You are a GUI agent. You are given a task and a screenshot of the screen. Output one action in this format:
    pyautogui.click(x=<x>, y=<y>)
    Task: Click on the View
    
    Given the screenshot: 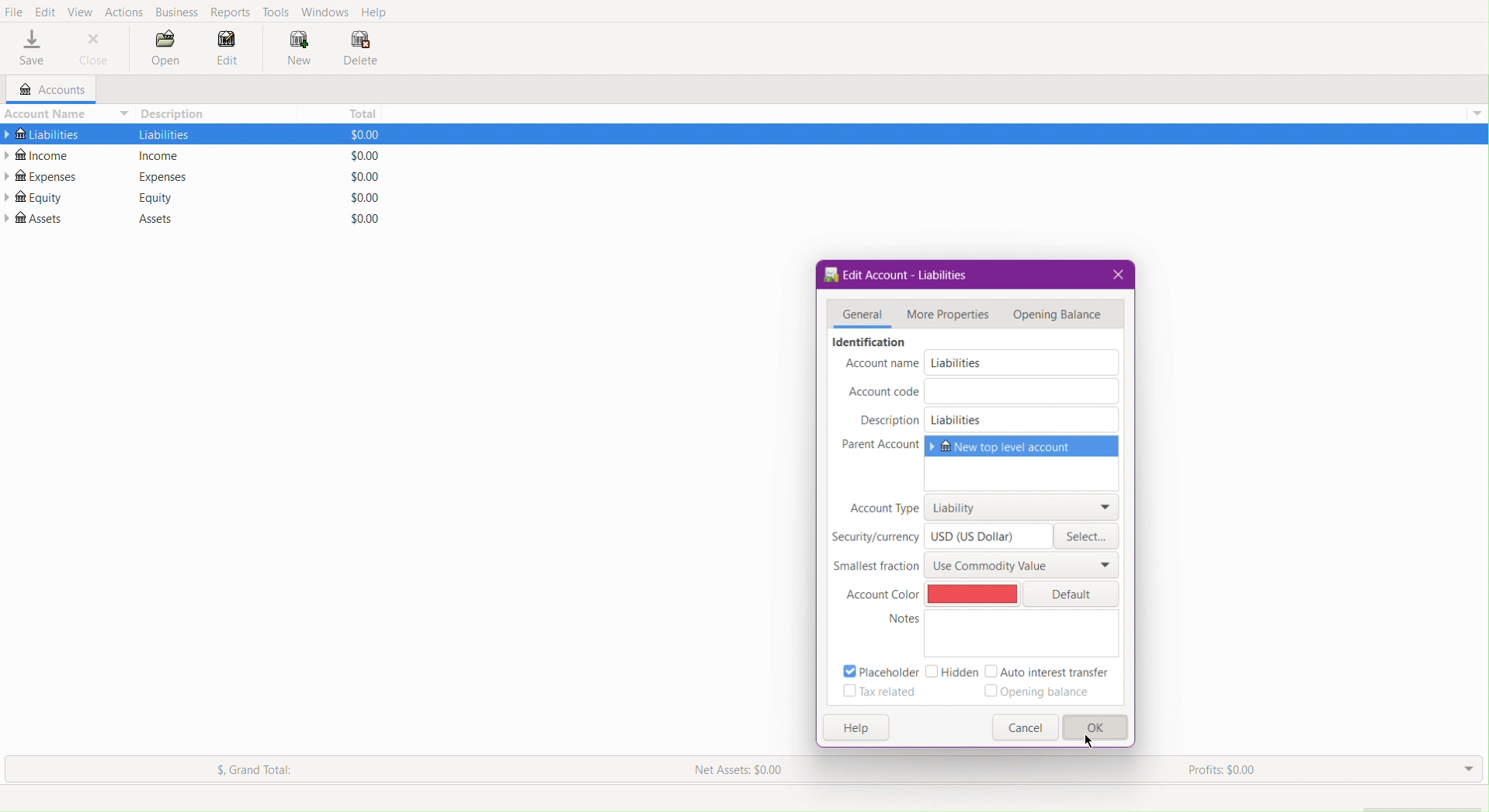 What is the action you would take?
    pyautogui.click(x=82, y=10)
    